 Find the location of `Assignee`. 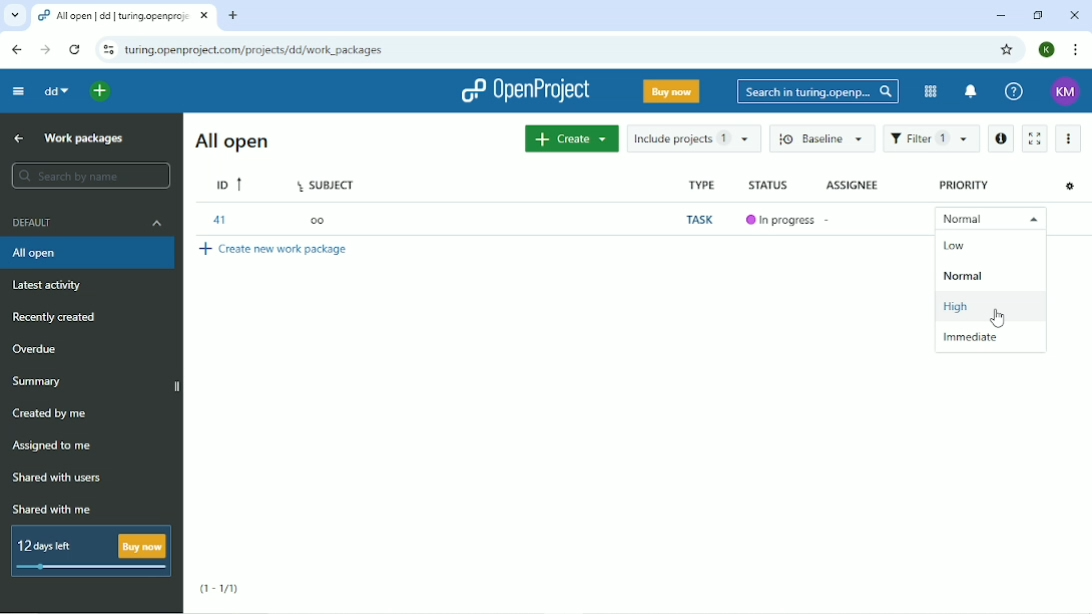

Assignee is located at coordinates (861, 186).